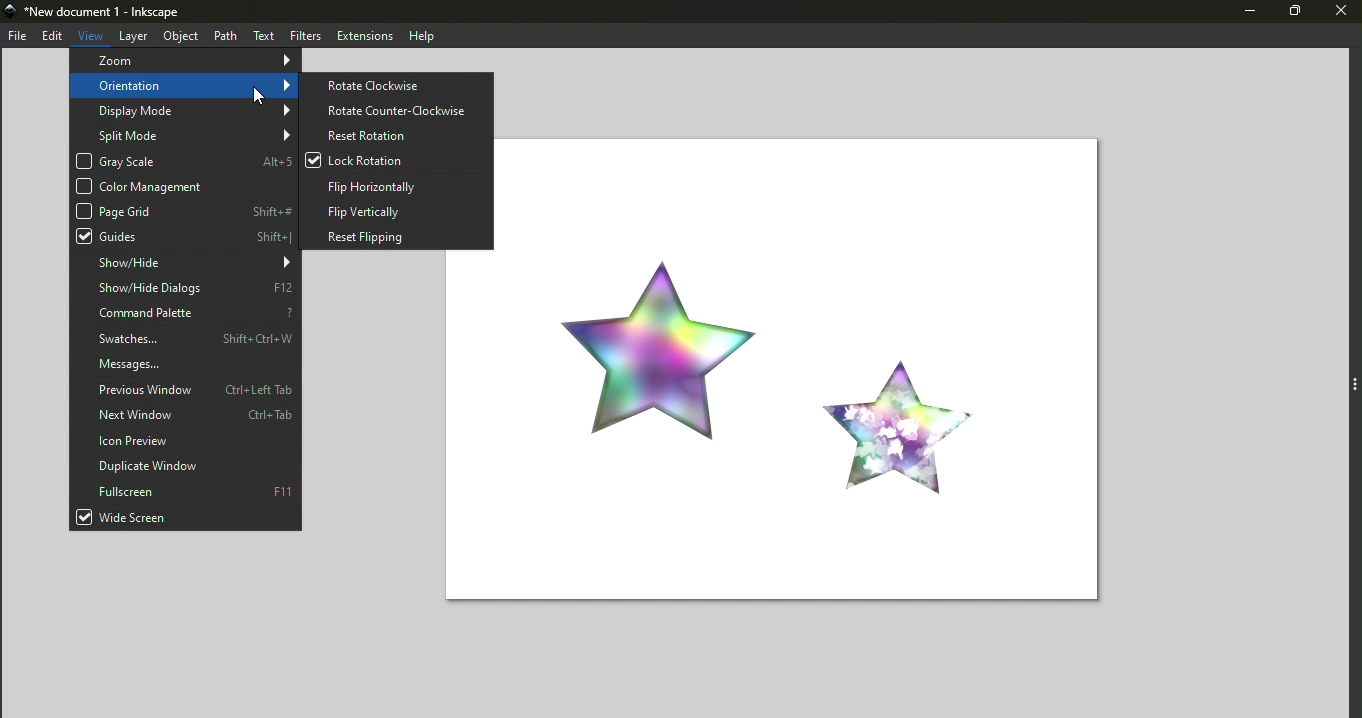 Image resolution: width=1362 pixels, height=718 pixels. What do you see at coordinates (397, 184) in the screenshot?
I see `Flip horizontal` at bounding box center [397, 184].